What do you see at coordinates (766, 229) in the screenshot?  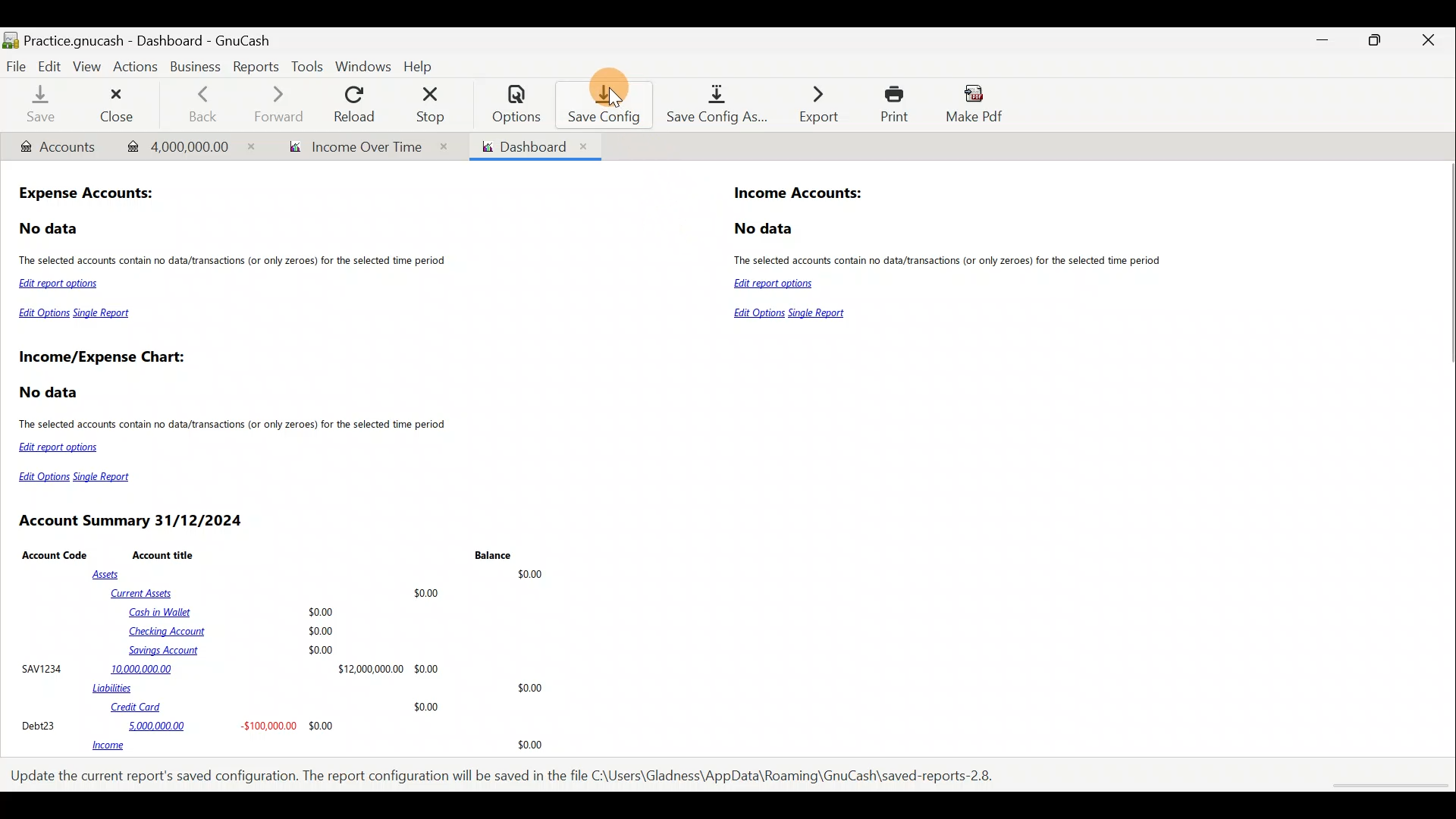 I see `No data` at bounding box center [766, 229].